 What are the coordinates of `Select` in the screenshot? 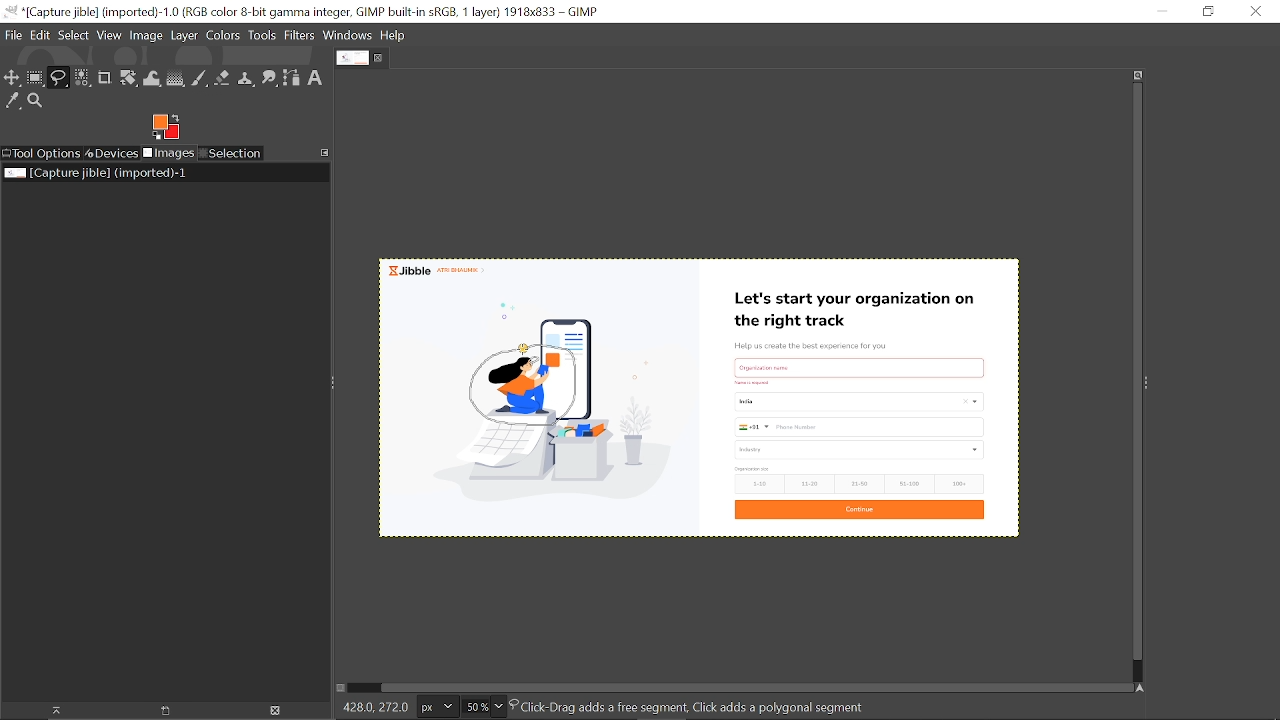 It's located at (74, 35).